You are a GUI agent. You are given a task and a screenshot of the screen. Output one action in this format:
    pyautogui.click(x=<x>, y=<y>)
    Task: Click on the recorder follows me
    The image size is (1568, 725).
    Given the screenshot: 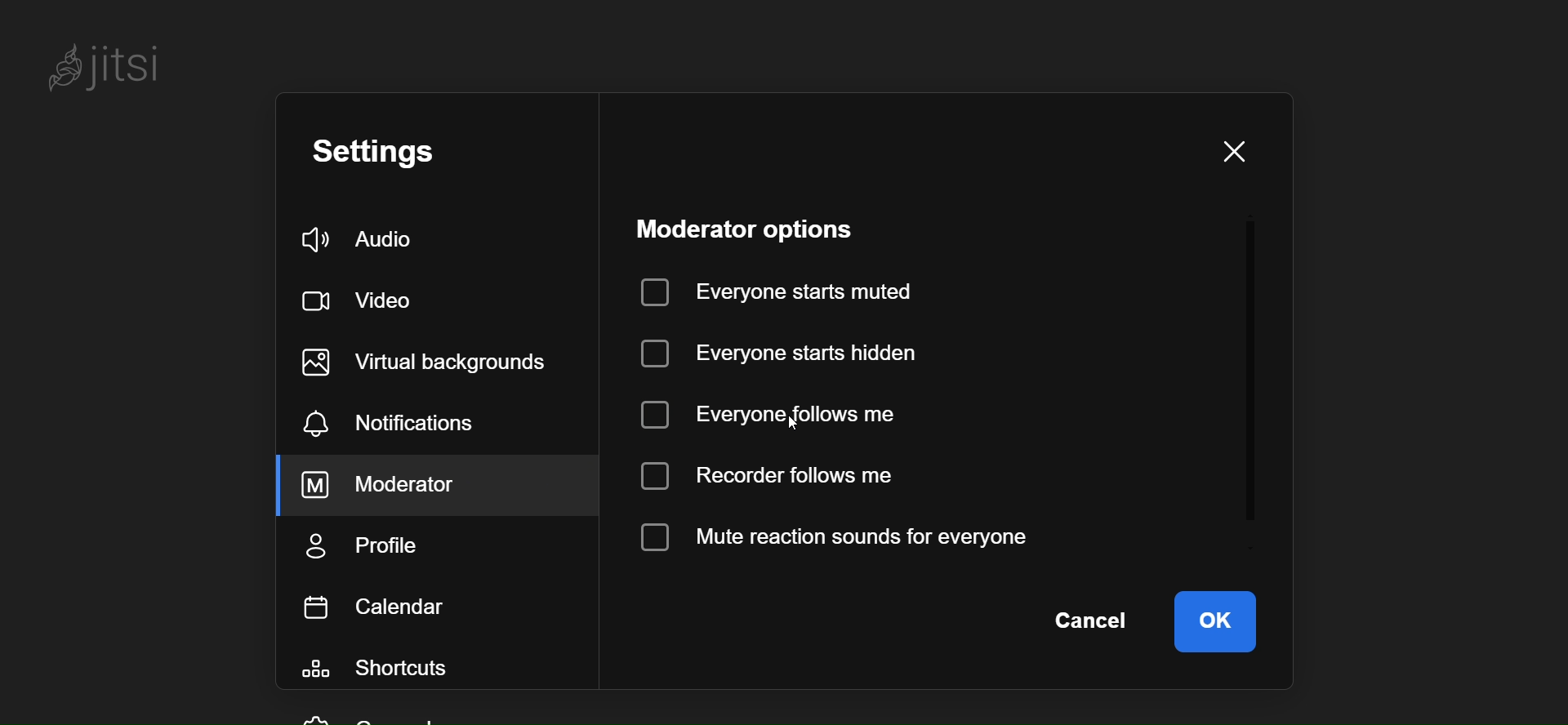 What is the action you would take?
    pyautogui.click(x=773, y=476)
    